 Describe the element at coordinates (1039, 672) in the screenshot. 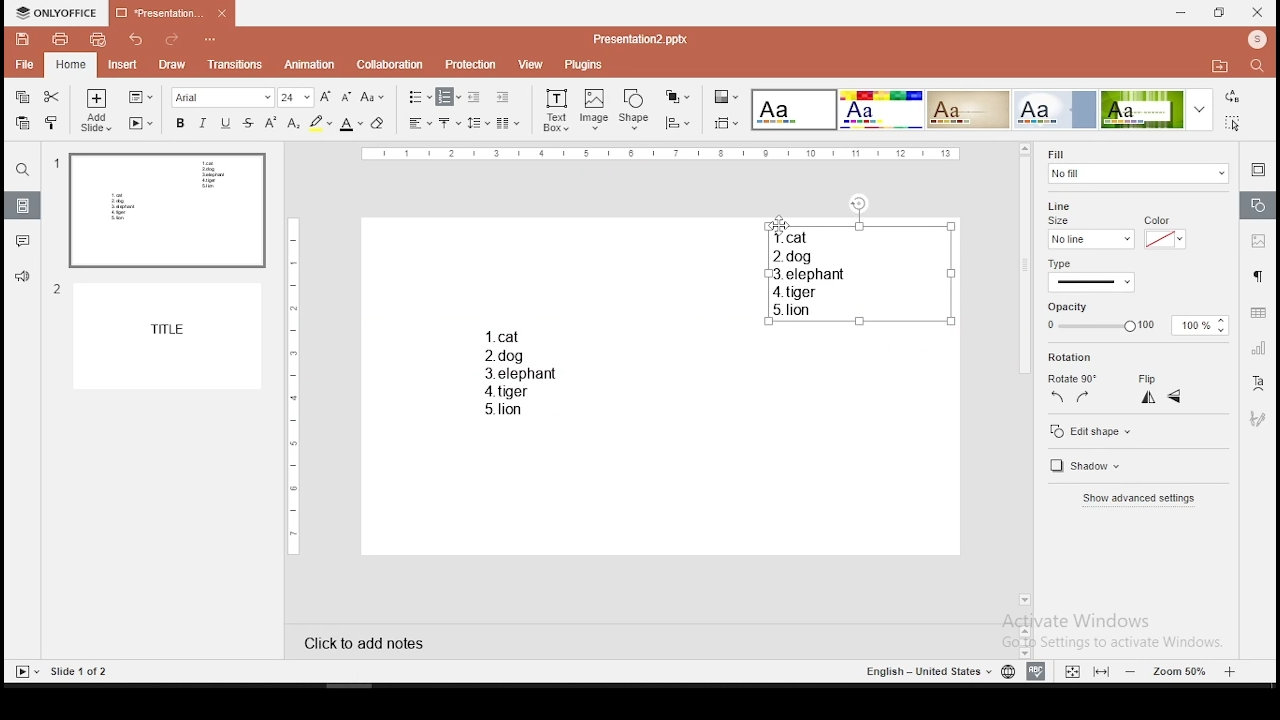

I see `spell check` at that location.